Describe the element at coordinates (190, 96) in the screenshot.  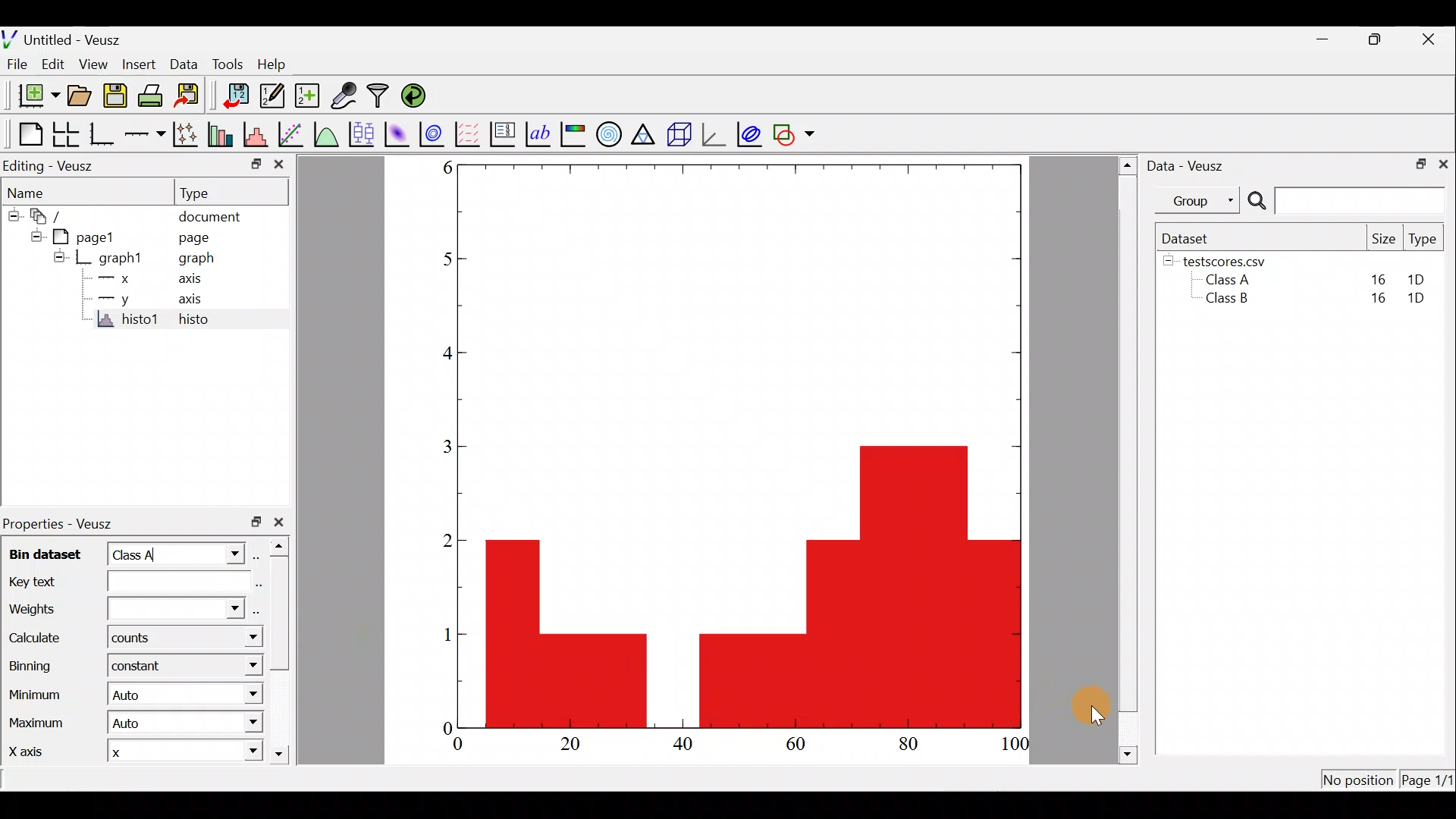
I see `Export to graphics format` at that location.